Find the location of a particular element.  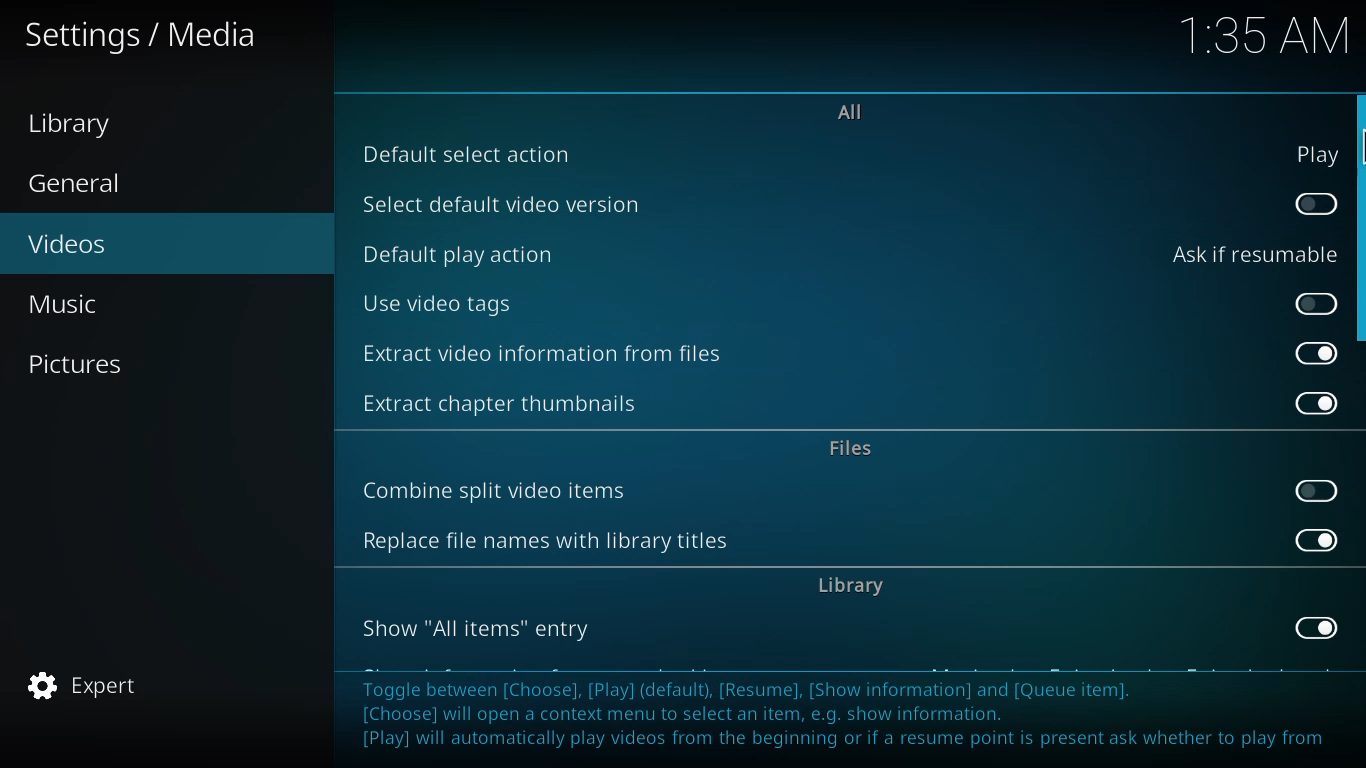

scroll bar dragged is located at coordinates (1360, 220).